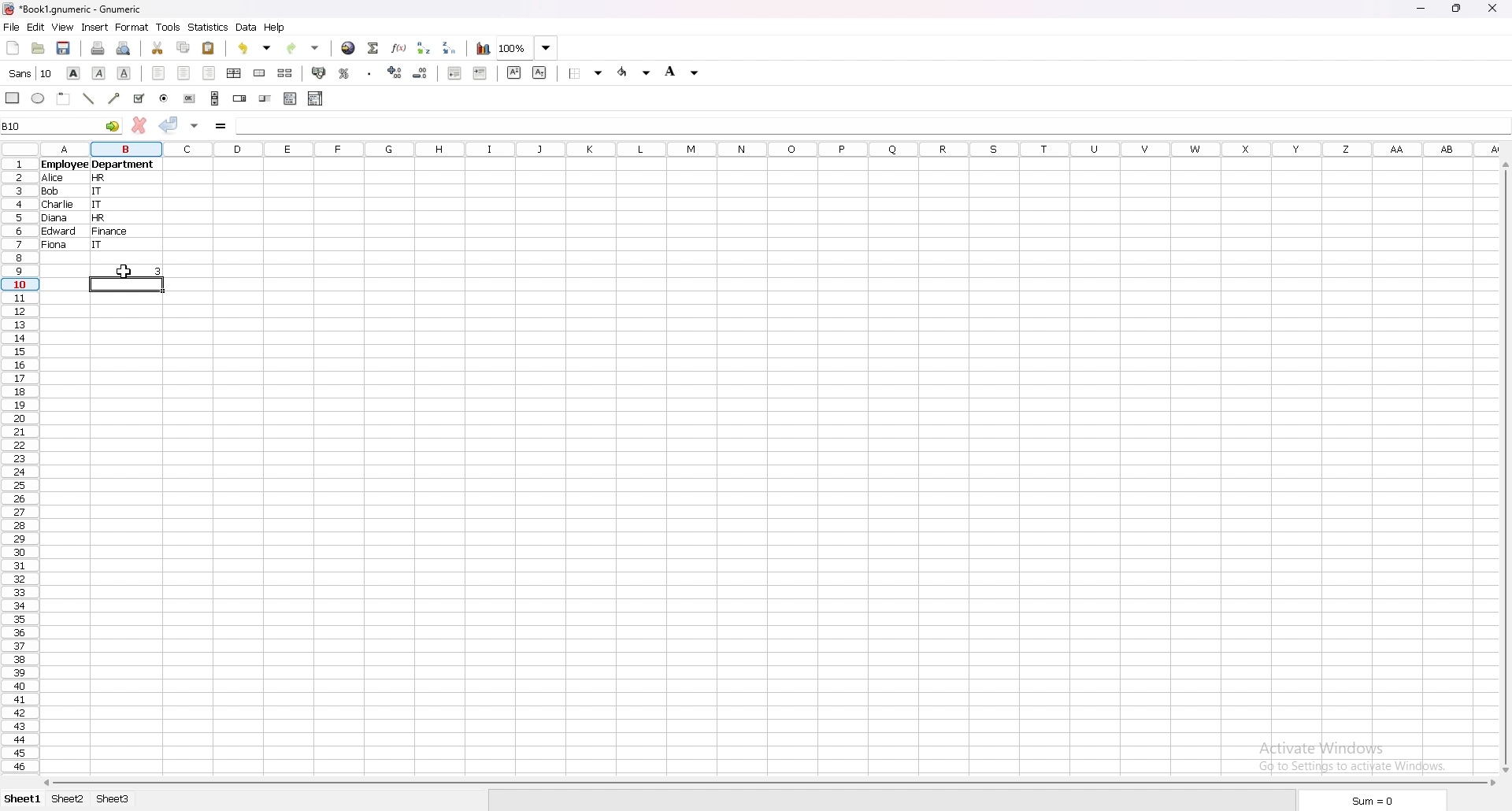 The width and height of the screenshot is (1512, 811). Describe the element at coordinates (159, 72) in the screenshot. I see `left align` at that location.